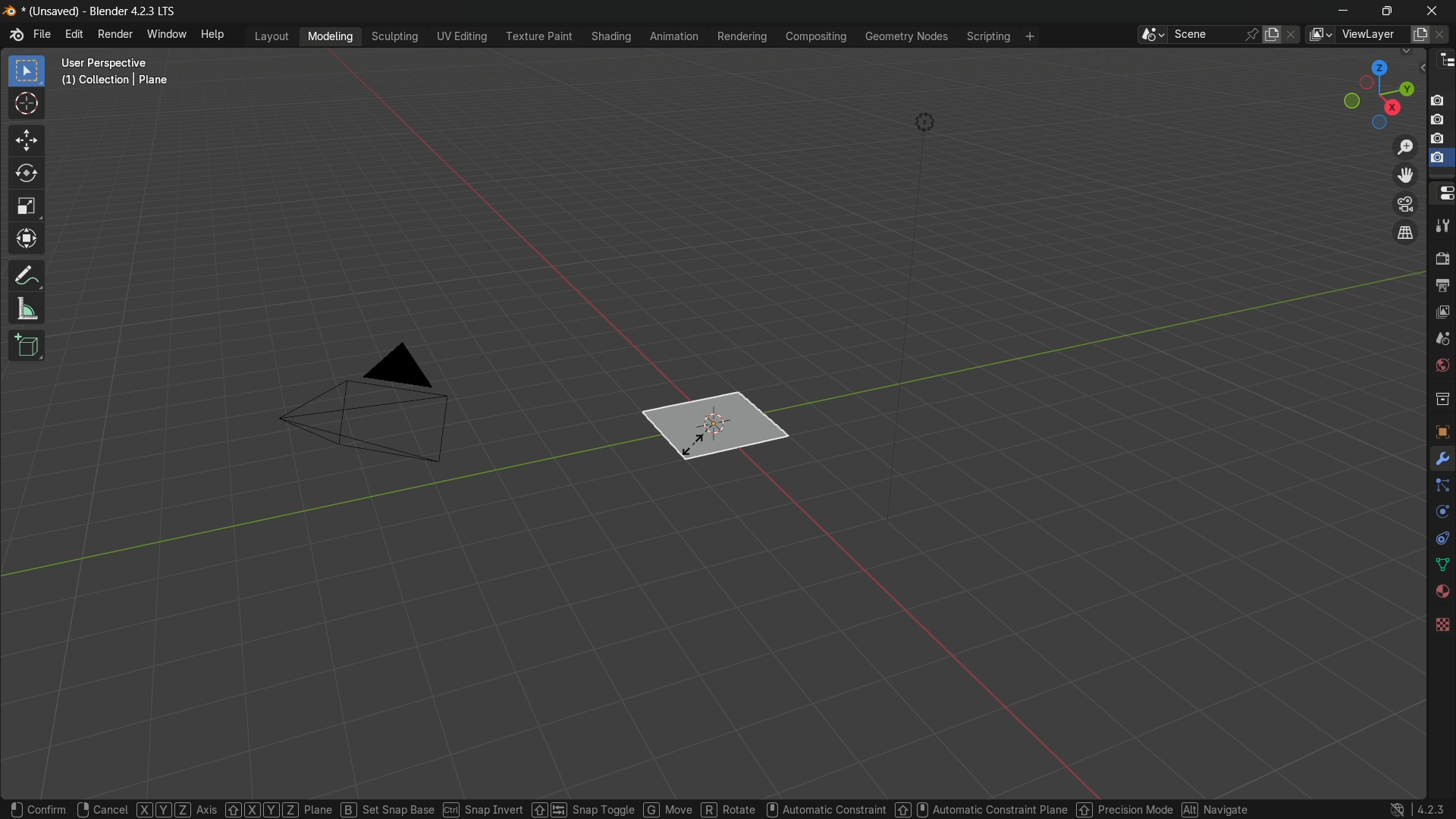 Image resolution: width=1456 pixels, height=819 pixels. Describe the element at coordinates (1321, 34) in the screenshot. I see `browse views` at that location.